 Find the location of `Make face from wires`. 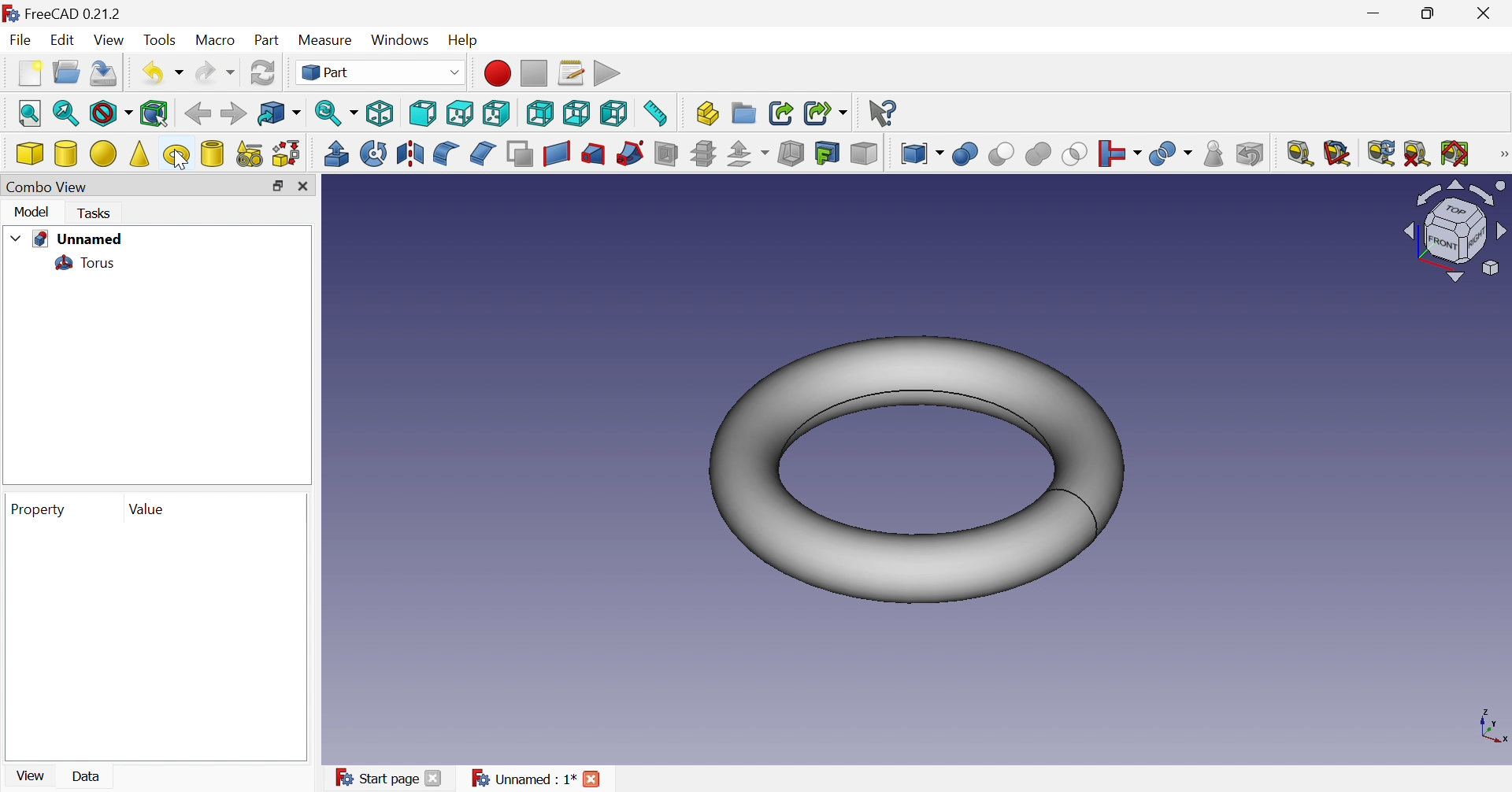

Make face from wires is located at coordinates (520, 154).